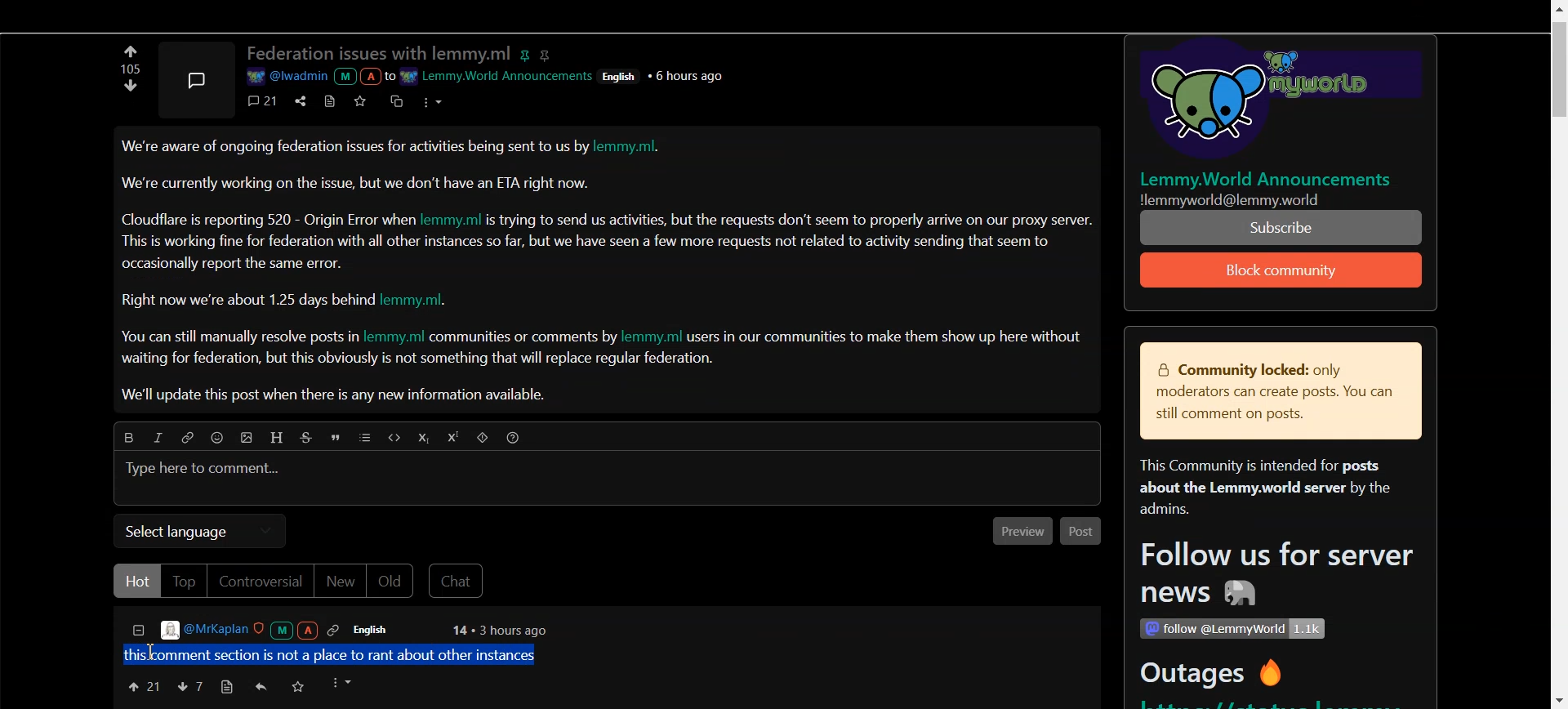  I want to click on Type here to comment..., so click(205, 470).